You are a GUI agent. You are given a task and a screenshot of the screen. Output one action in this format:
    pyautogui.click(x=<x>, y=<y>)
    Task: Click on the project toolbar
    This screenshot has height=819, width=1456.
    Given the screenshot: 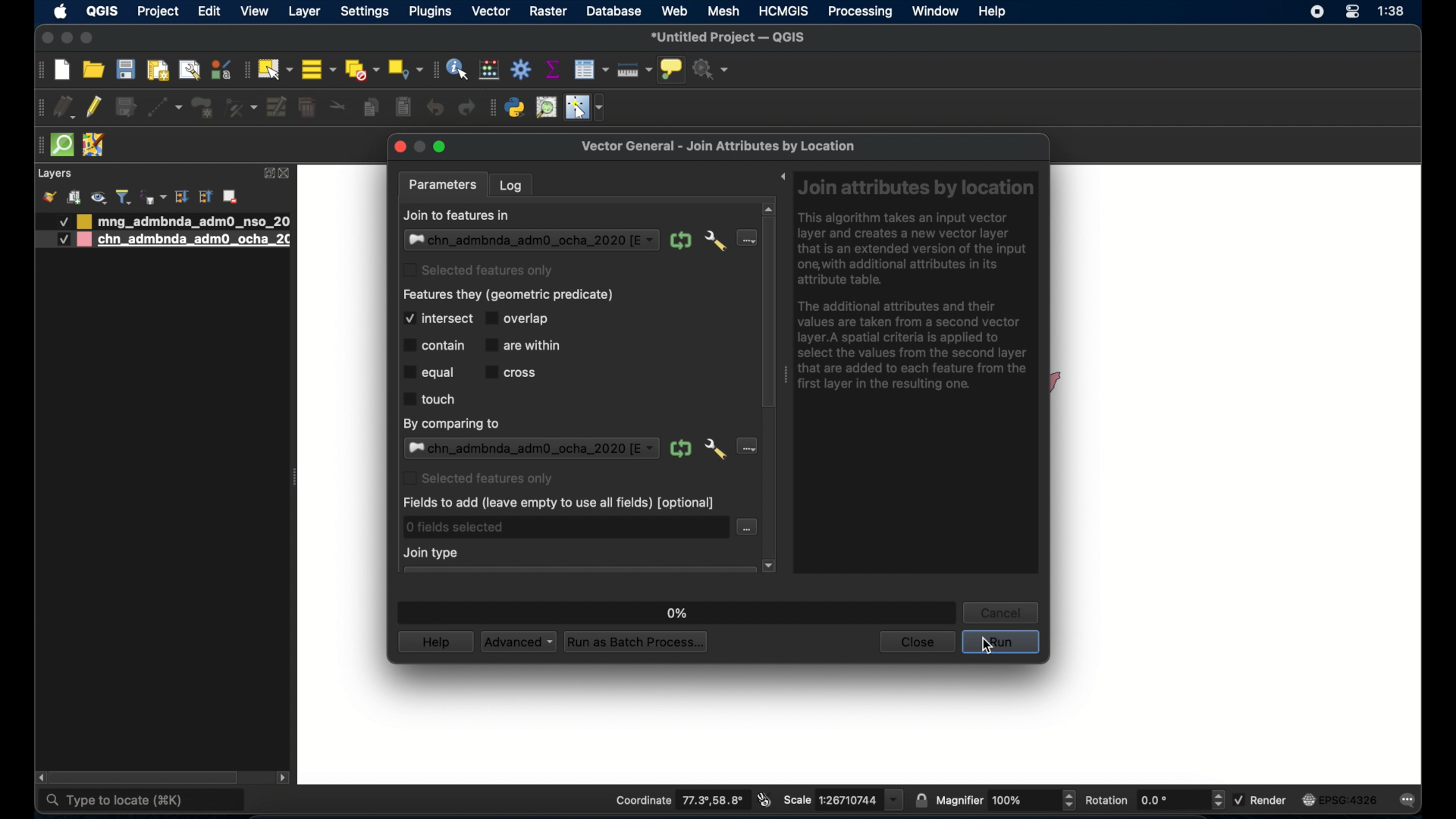 What is the action you would take?
    pyautogui.click(x=39, y=71)
    